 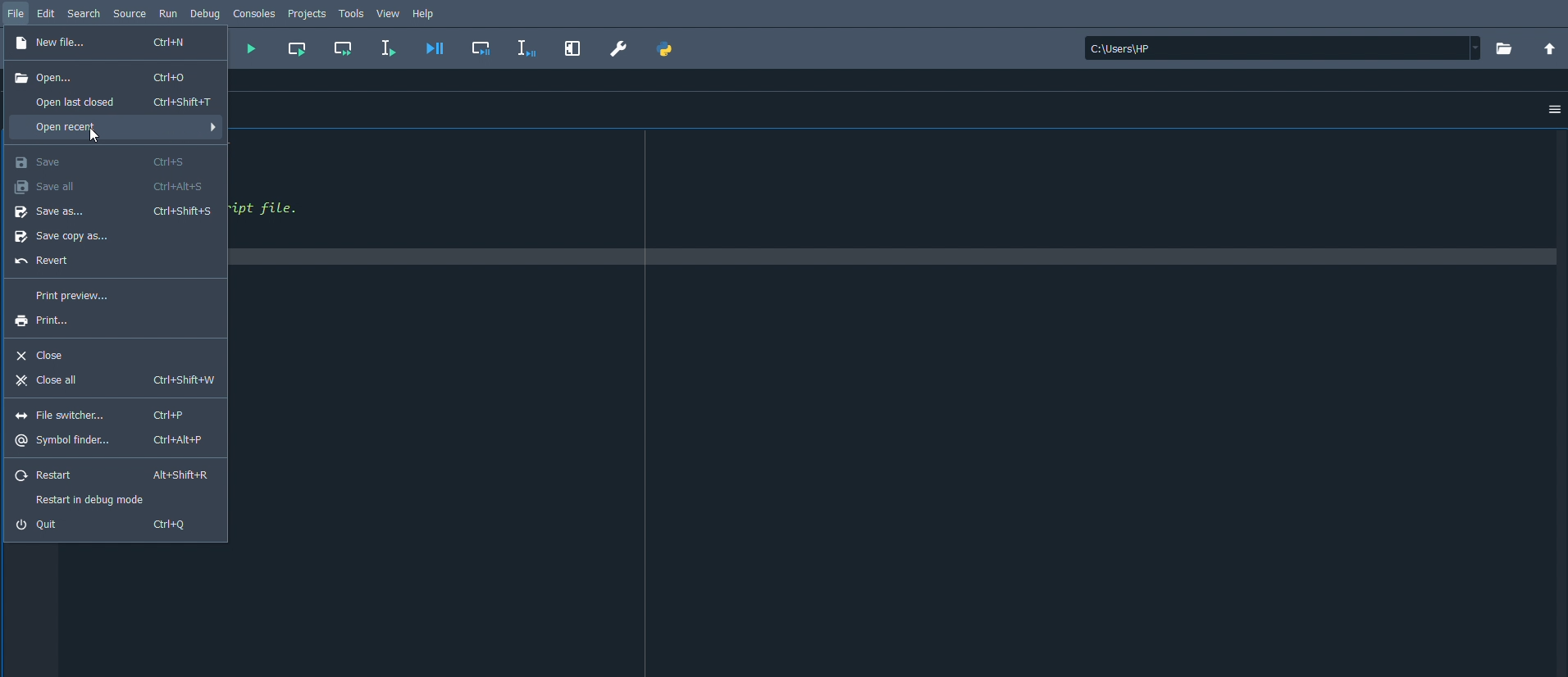 I want to click on File, so click(x=17, y=12).